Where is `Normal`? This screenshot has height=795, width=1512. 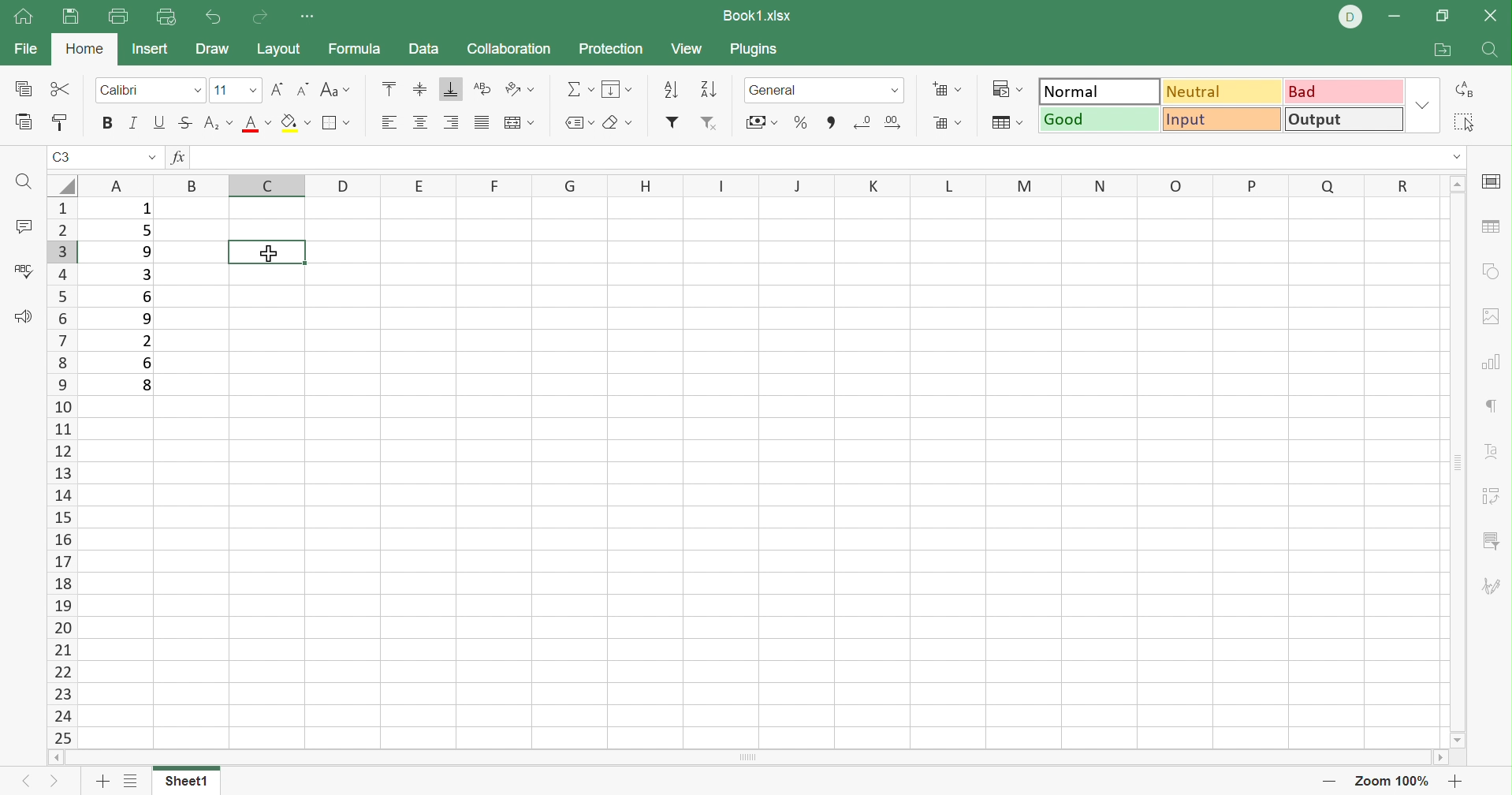
Normal is located at coordinates (1100, 90).